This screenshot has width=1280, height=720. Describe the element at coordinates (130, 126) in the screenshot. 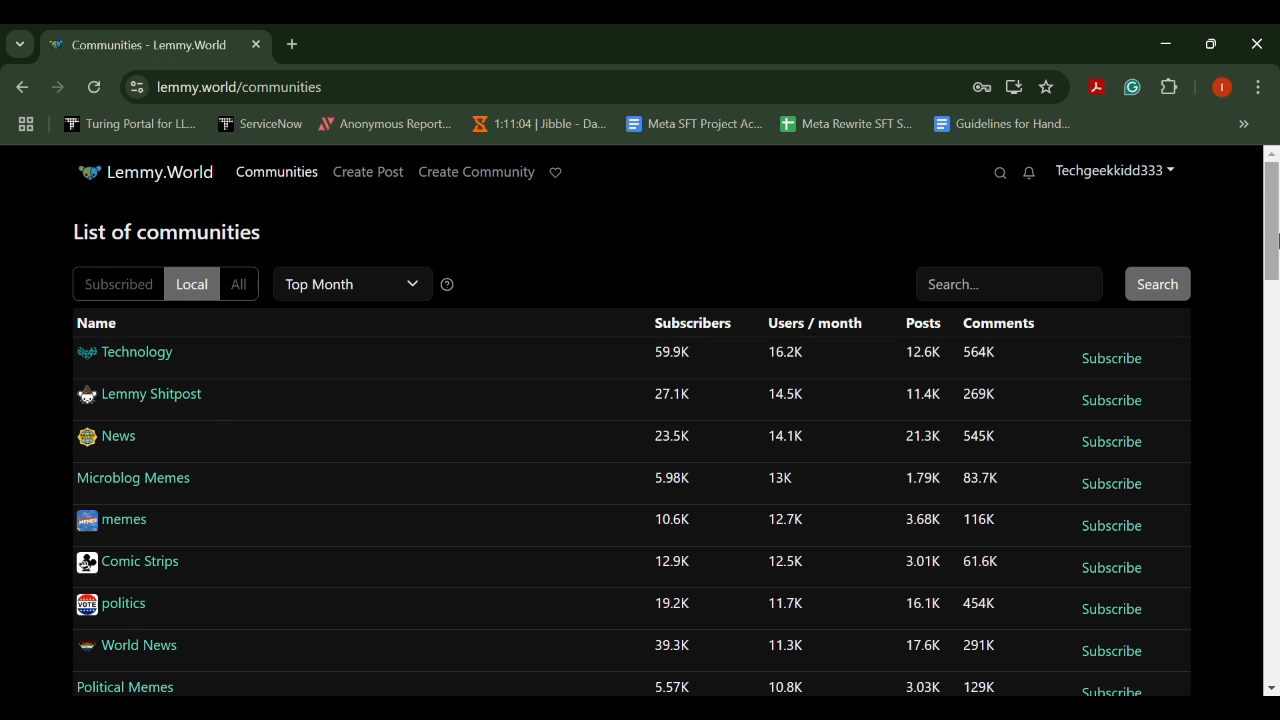

I see `Turing Portal for LL...` at that location.